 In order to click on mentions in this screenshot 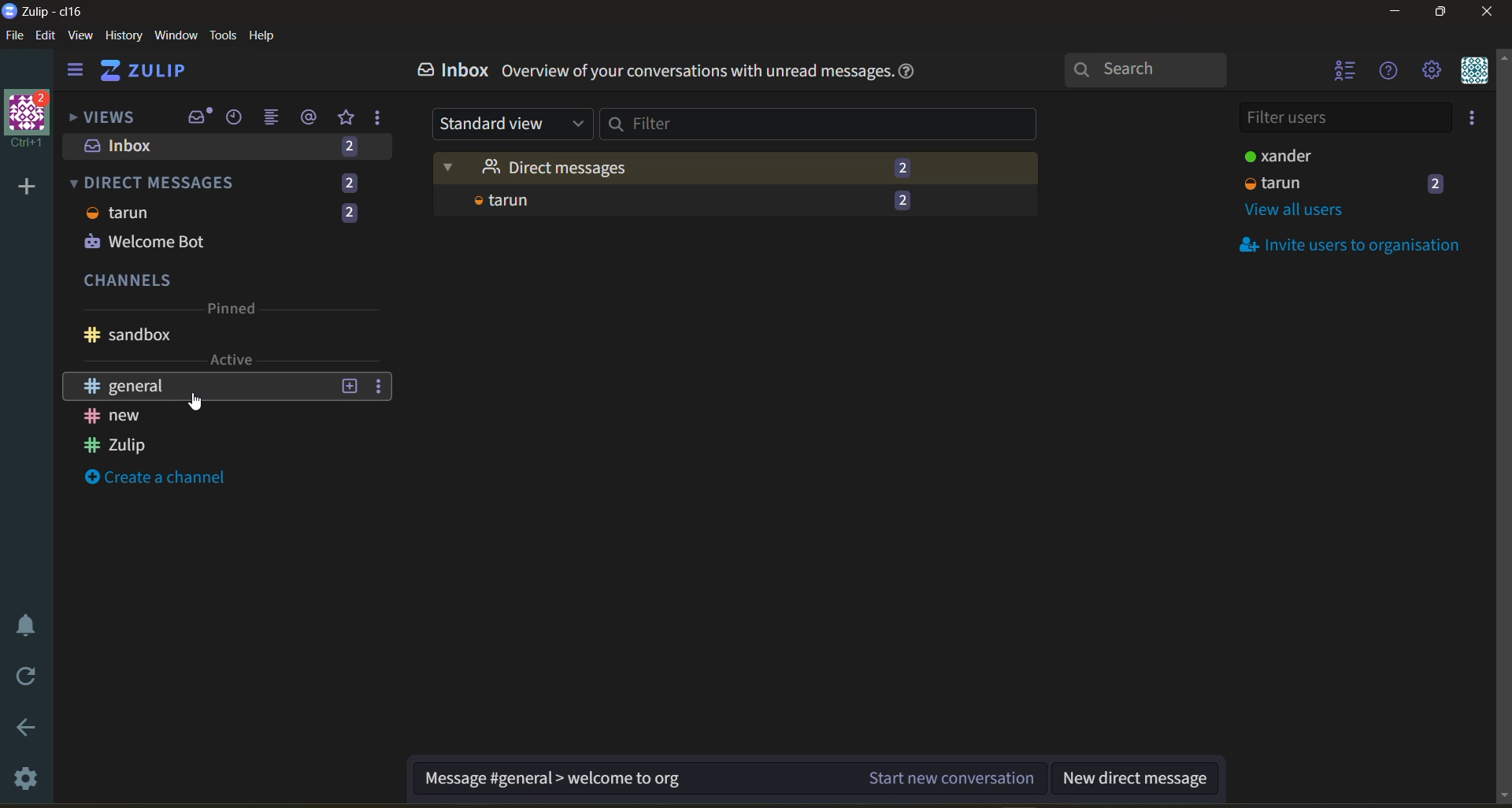, I will do `click(312, 117)`.